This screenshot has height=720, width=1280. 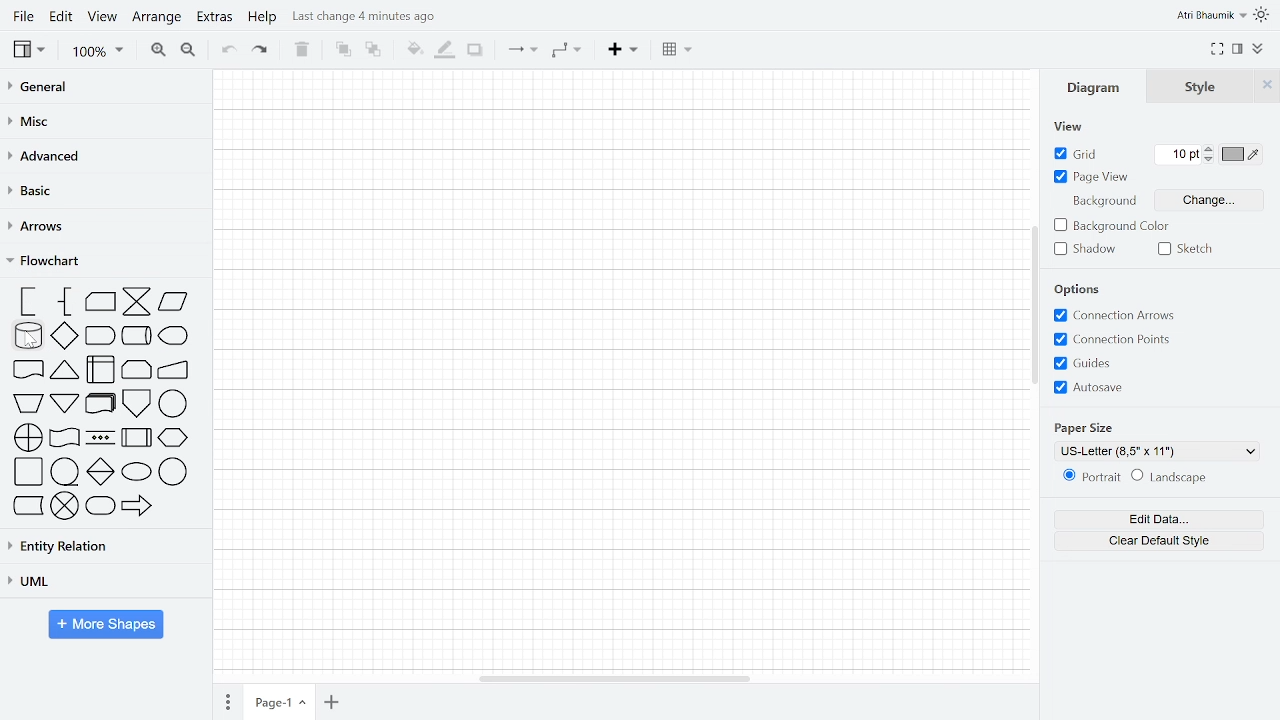 What do you see at coordinates (333, 702) in the screenshot?
I see `add page` at bounding box center [333, 702].